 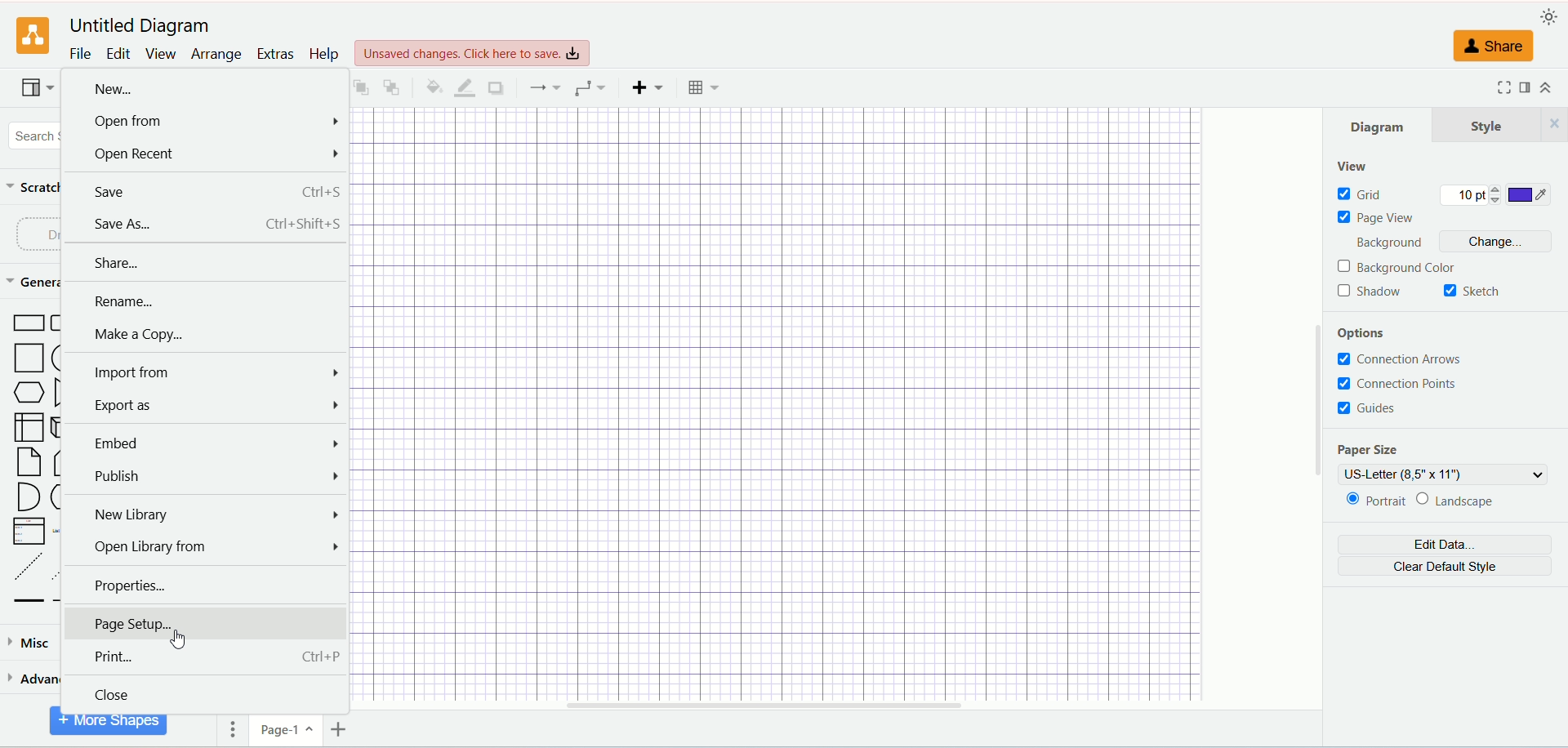 I want to click on color, so click(x=1530, y=196).